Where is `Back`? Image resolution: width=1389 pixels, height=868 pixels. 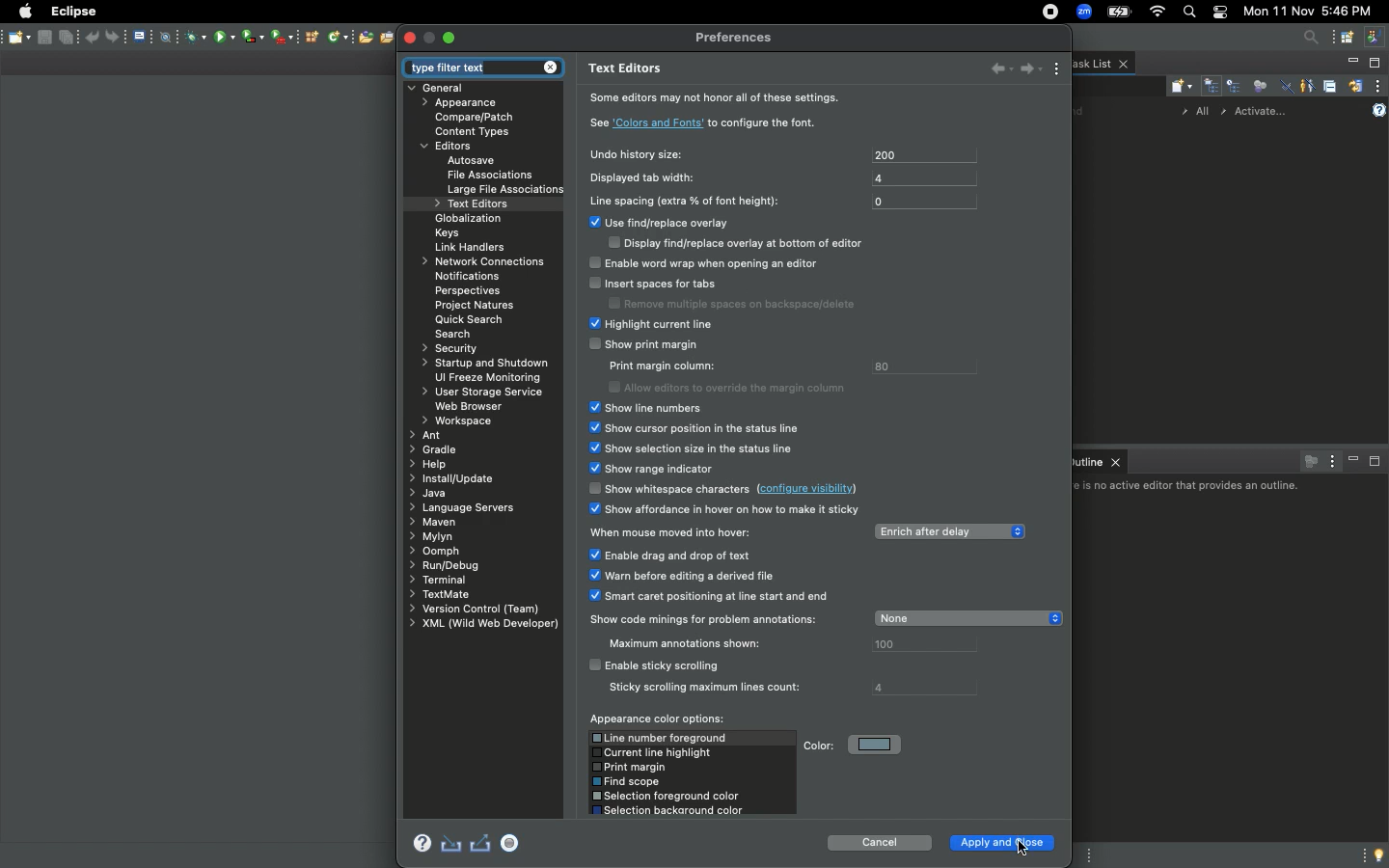
Back is located at coordinates (93, 38).